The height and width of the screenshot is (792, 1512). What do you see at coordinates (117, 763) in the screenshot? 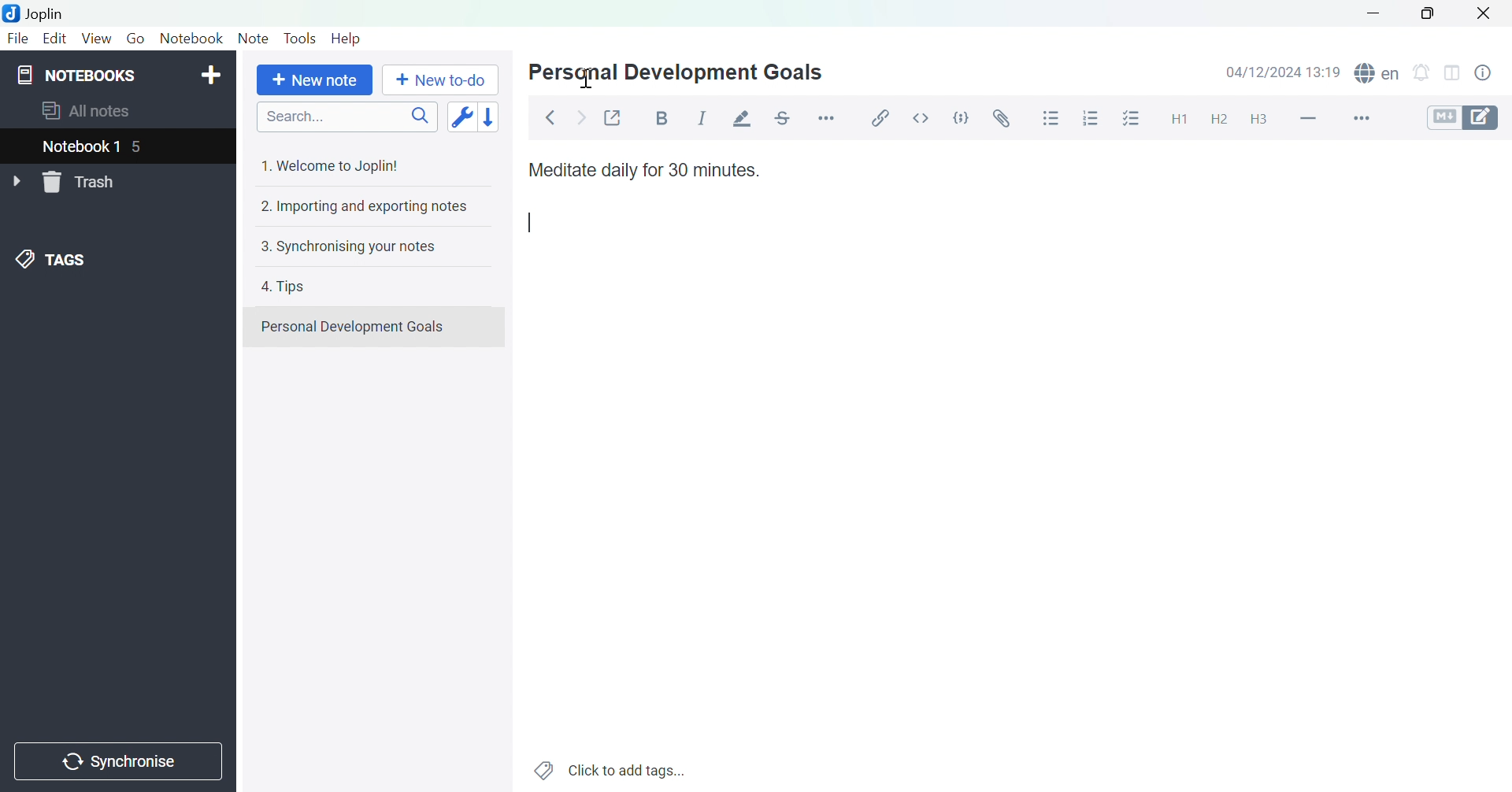
I see `Synchronise` at bounding box center [117, 763].